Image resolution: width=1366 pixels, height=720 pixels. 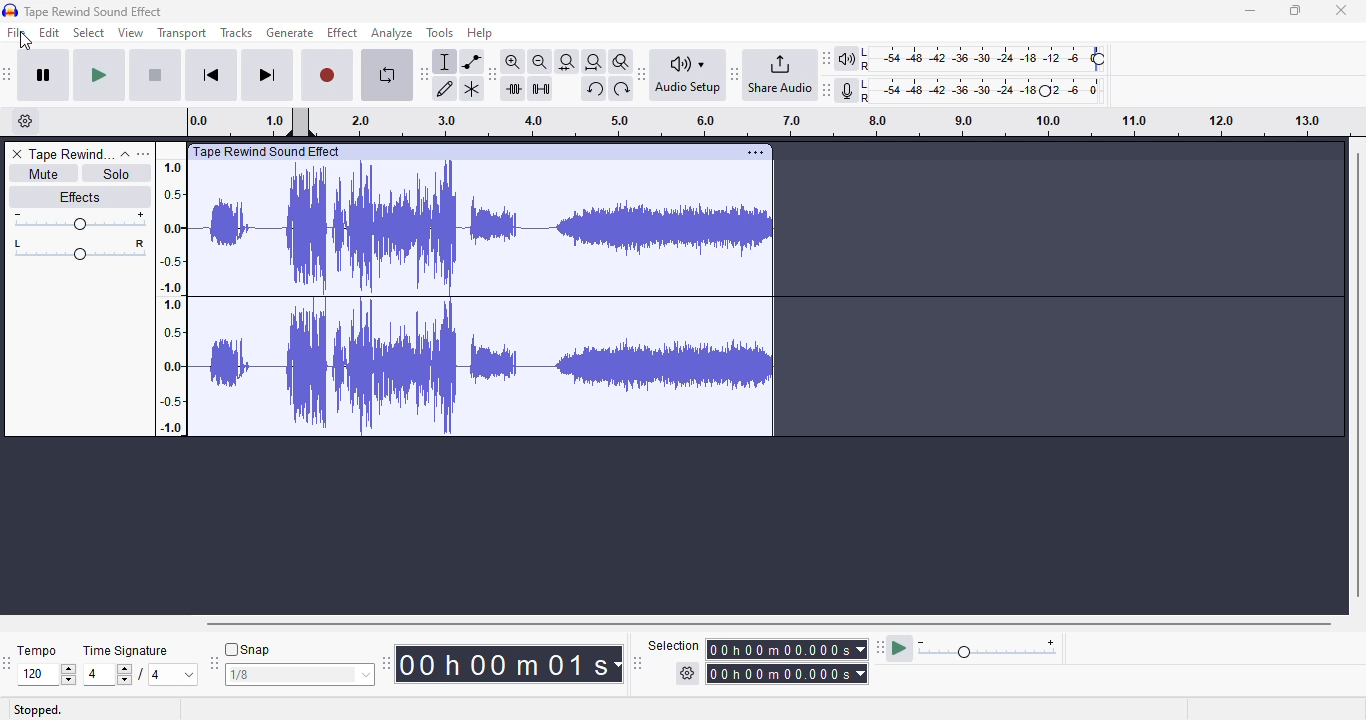 I want to click on pan: center, so click(x=80, y=249).